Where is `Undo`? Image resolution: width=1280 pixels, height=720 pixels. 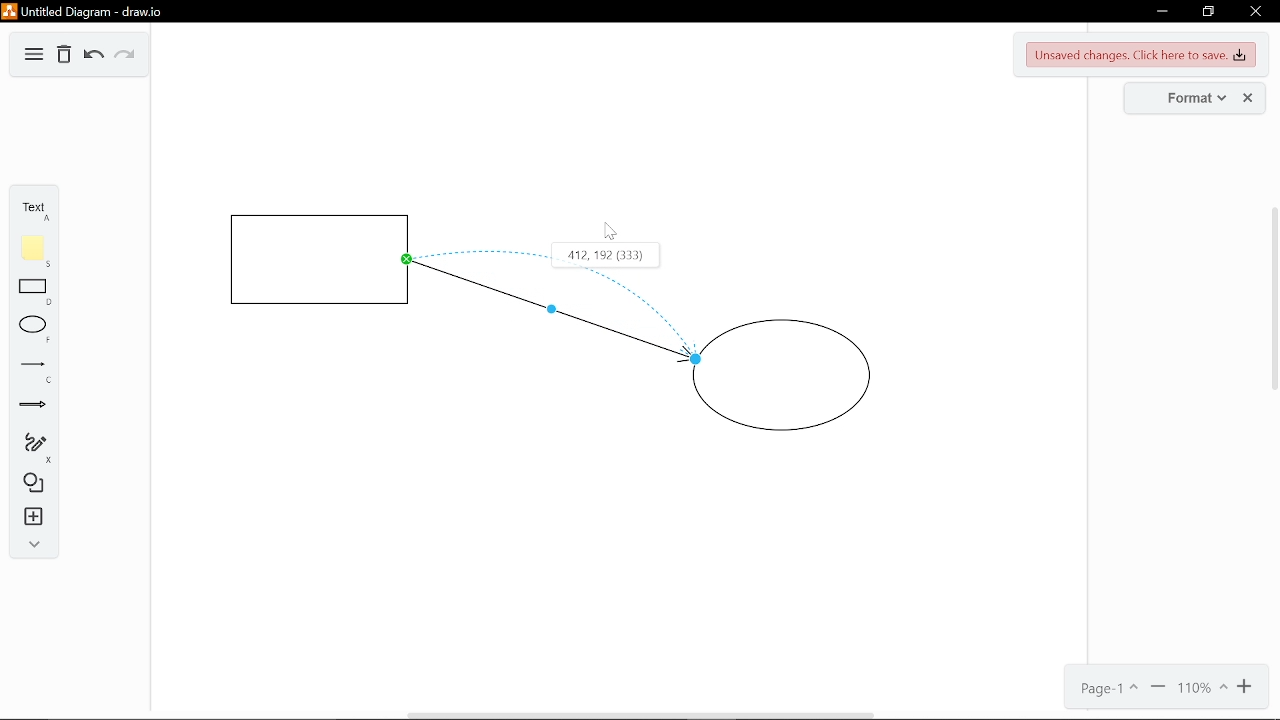 Undo is located at coordinates (92, 57).